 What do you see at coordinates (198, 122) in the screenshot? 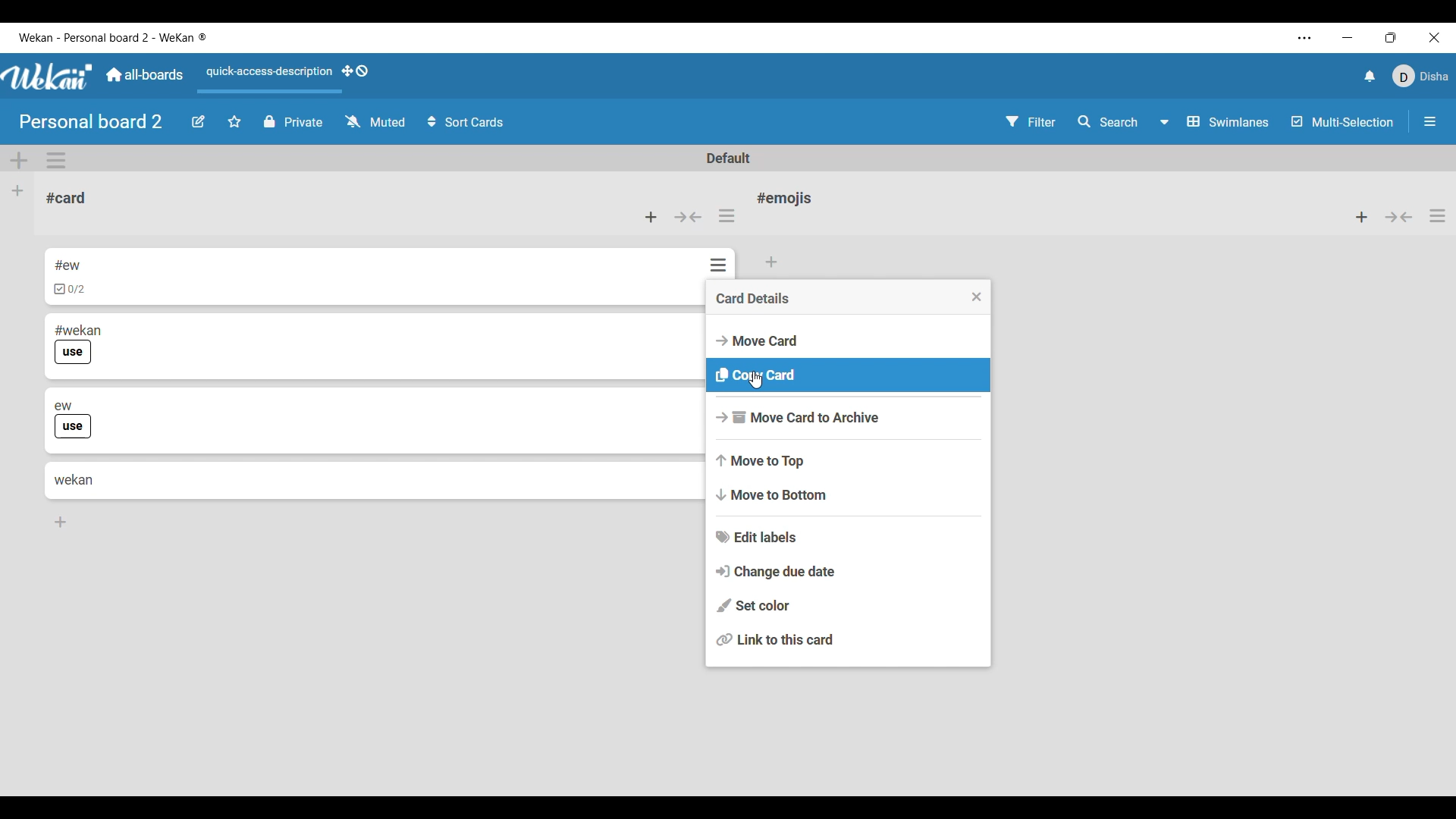
I see `Edit` at bounding box center [198, 122].